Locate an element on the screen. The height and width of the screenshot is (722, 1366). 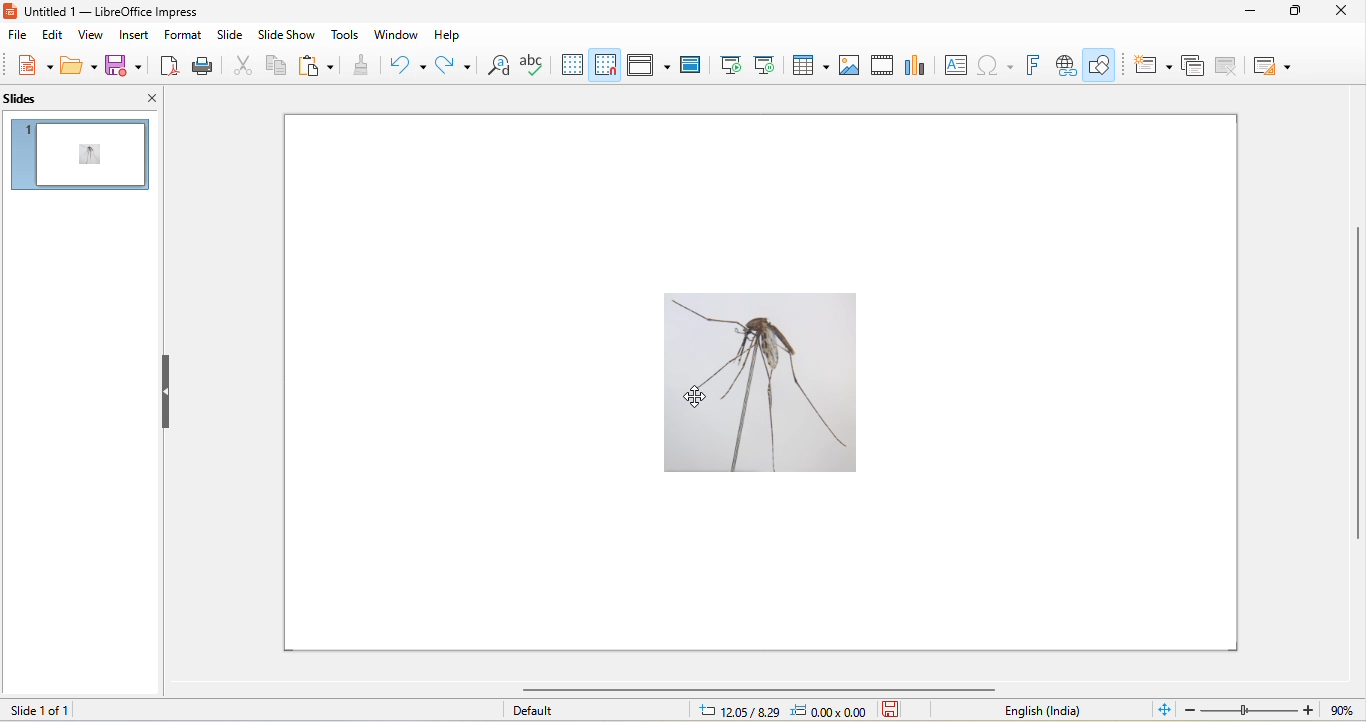
hide is located at coordinates (163, 393).